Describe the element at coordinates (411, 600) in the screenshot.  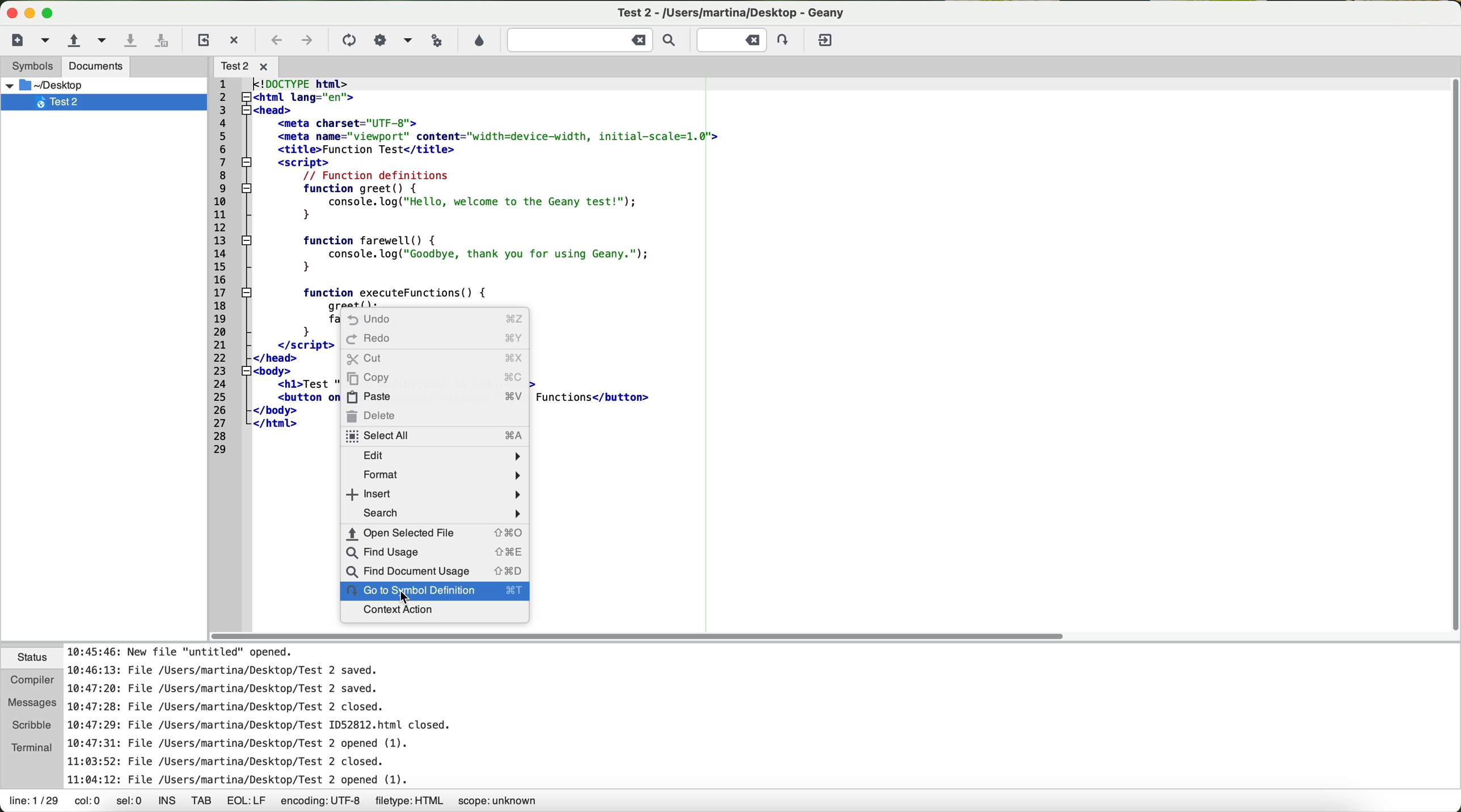
I see `cursor` at that location.